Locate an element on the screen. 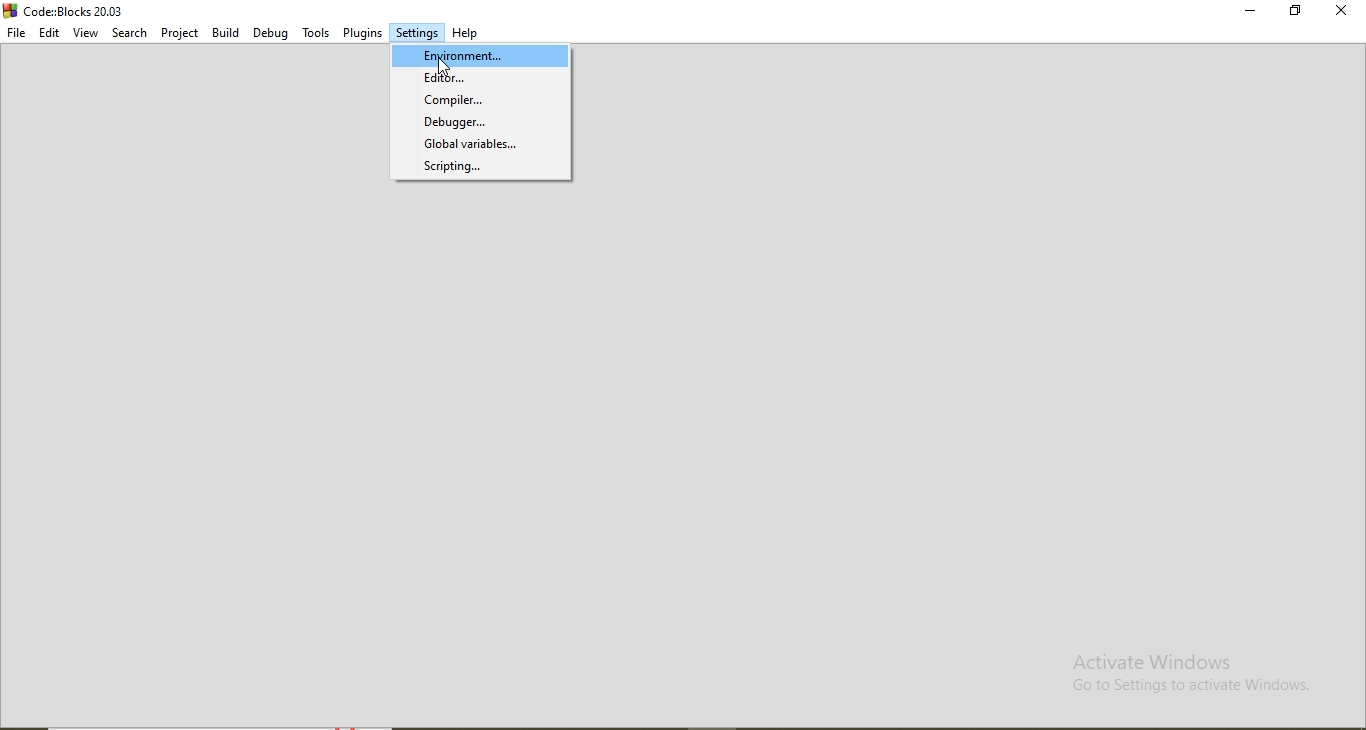  Project  is located at coordinates (180, 30).